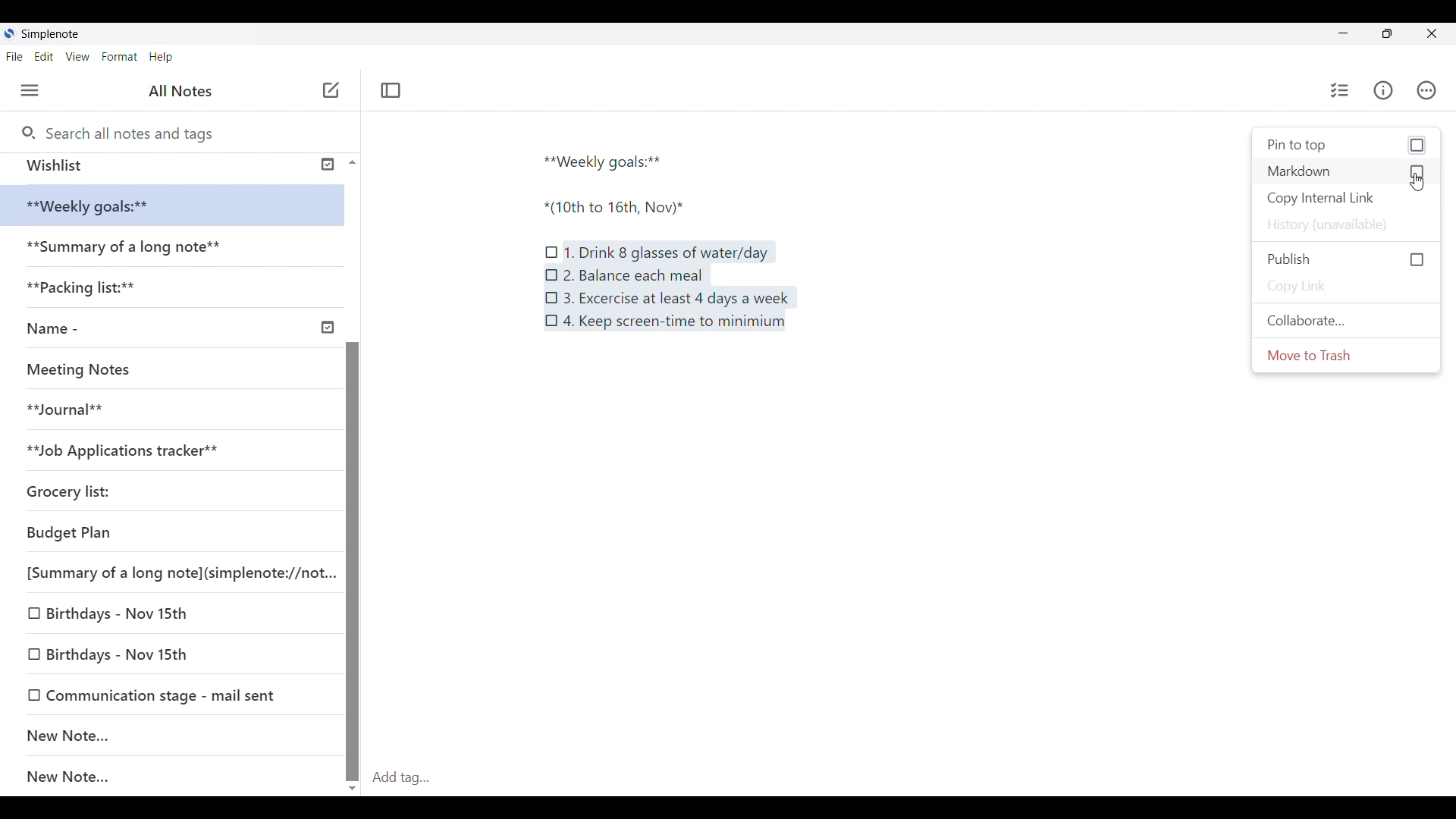 Image resolution: width=1456 pixels, height=819 pixels. What do you see at coordinates (99, 206) in the screenshot?
I see `**Weekly goals:**` at bounding box center [99, 206].